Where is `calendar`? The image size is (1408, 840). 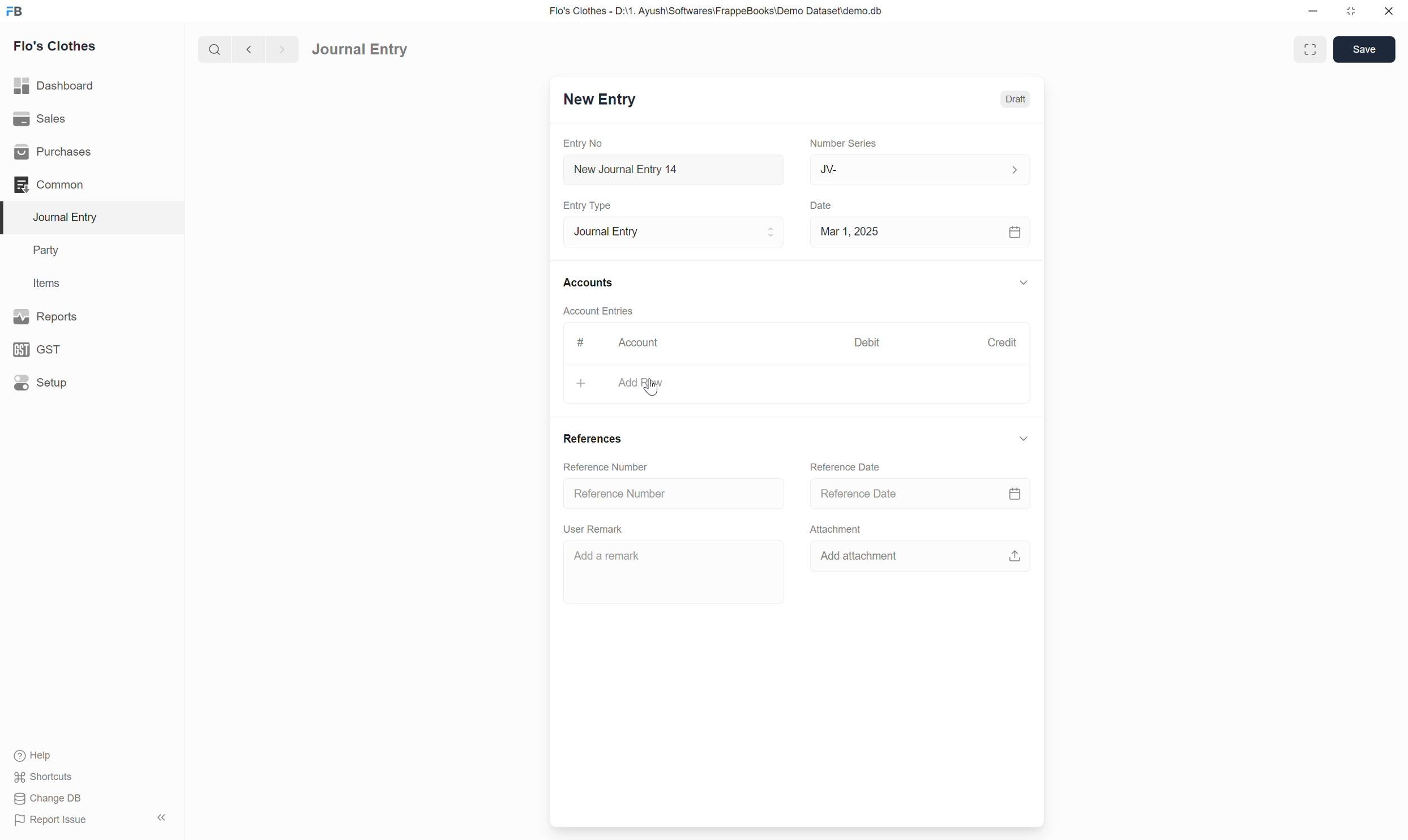
calendar is located at coordinates (1016, 233).